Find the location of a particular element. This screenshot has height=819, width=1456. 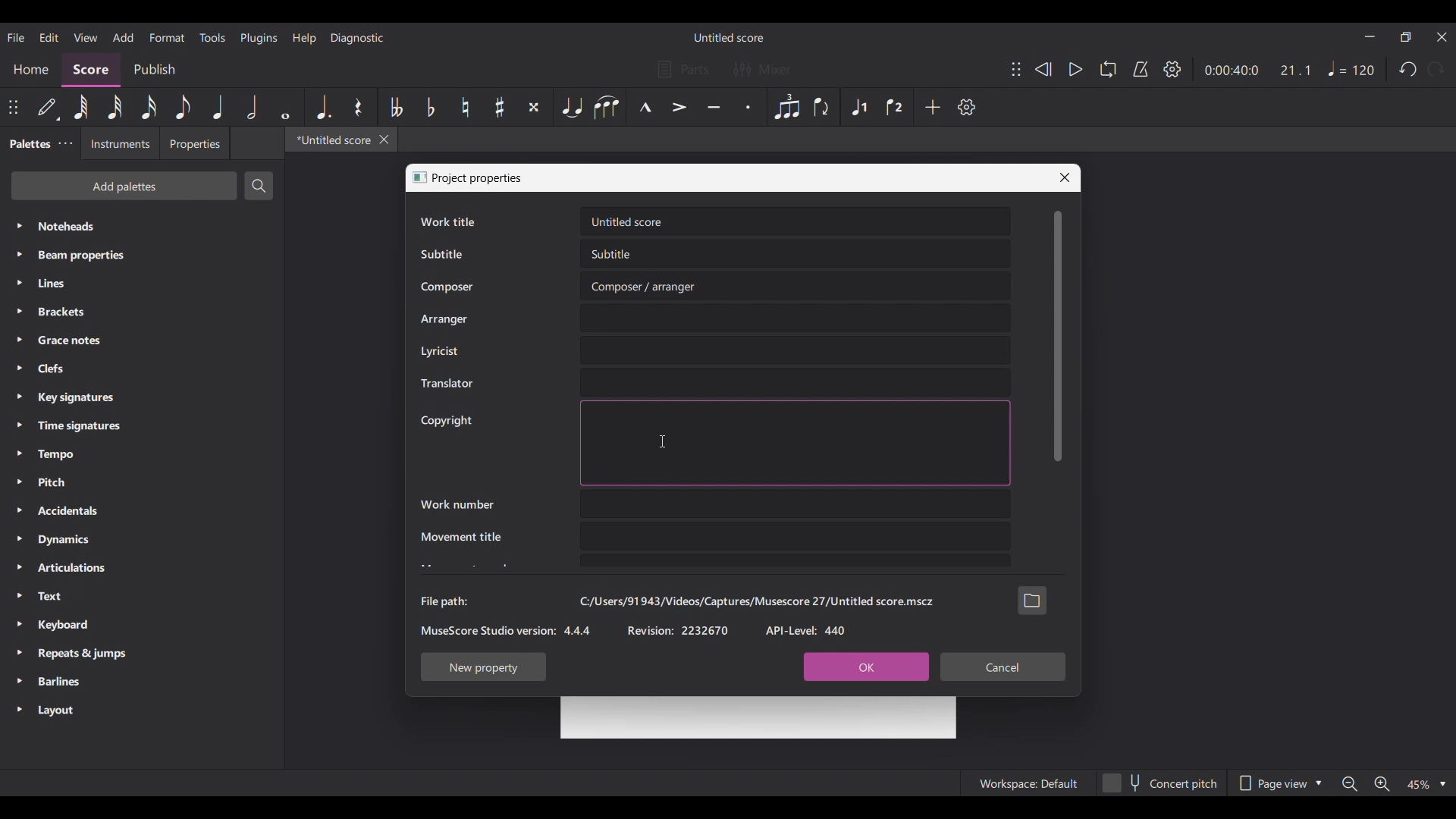

Show in smaller tab is located at coordinates (1406, 36).